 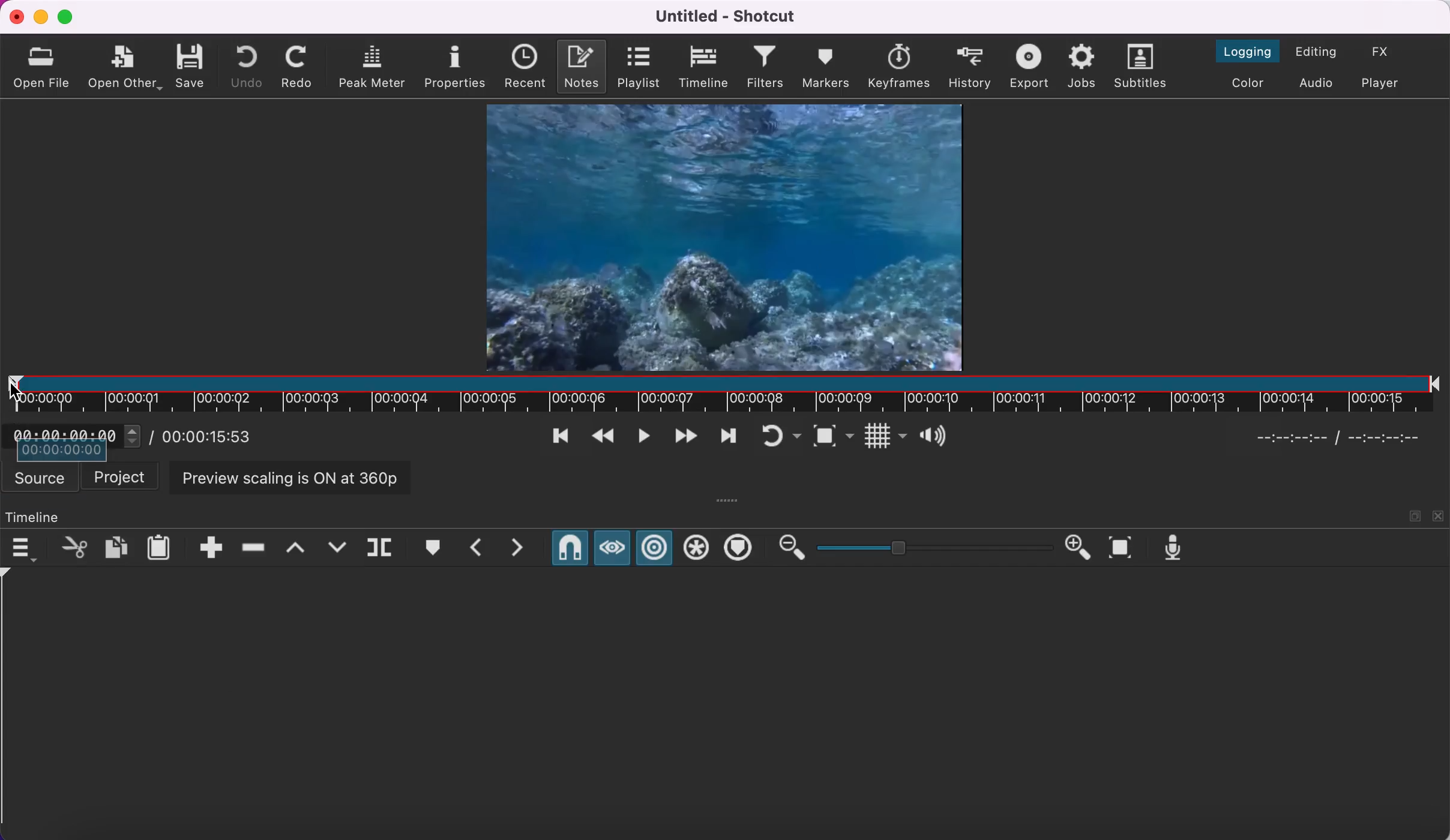 What do you see at coordinates (1415, 515) in the screenshot?
I see `maximize` at bounding box center [1415, 515].